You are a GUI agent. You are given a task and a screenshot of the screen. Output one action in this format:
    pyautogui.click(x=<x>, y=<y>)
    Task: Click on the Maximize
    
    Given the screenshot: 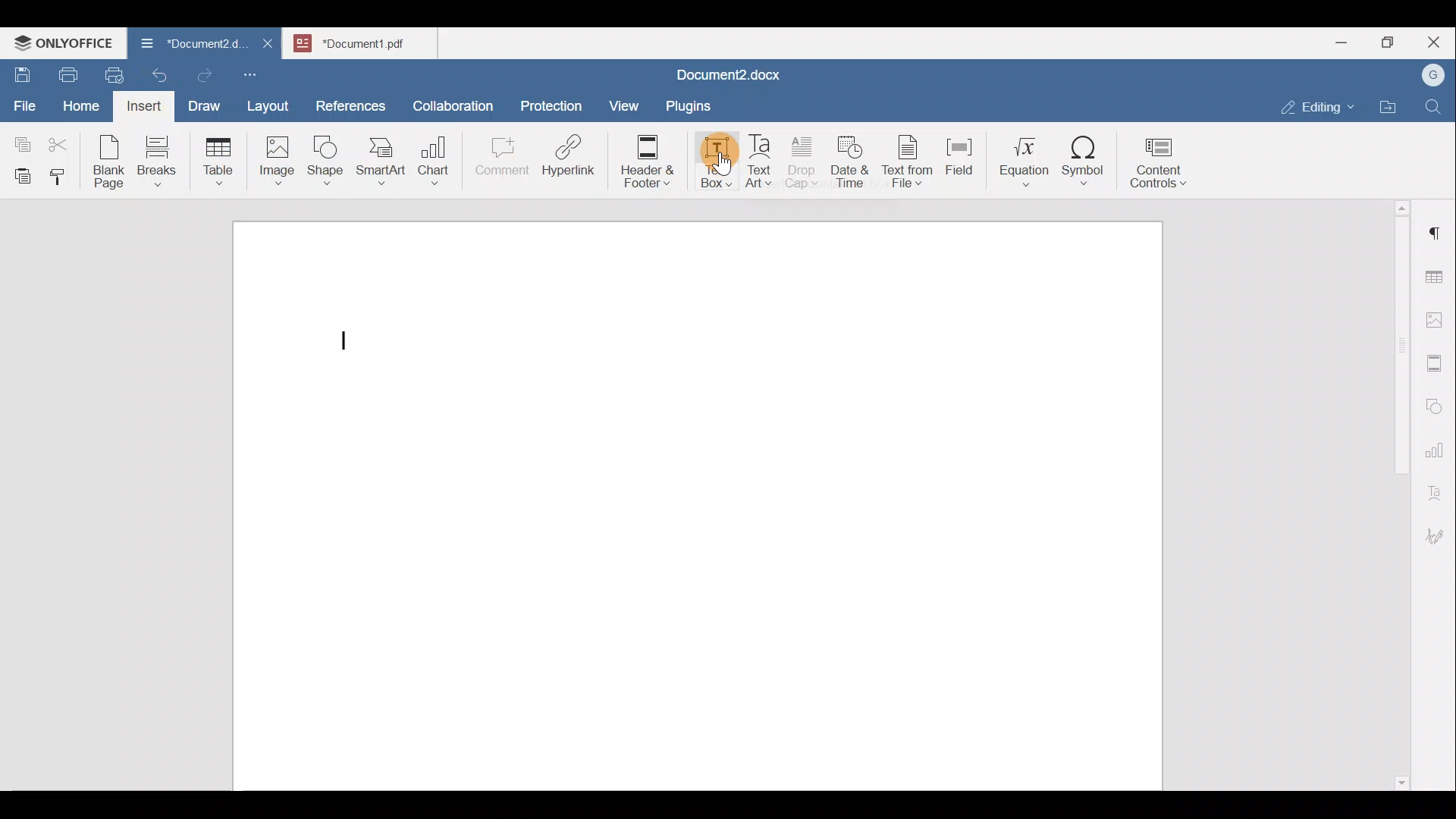 What is the action you would take?
    pyautogui.click(x=1392, y=42)
    